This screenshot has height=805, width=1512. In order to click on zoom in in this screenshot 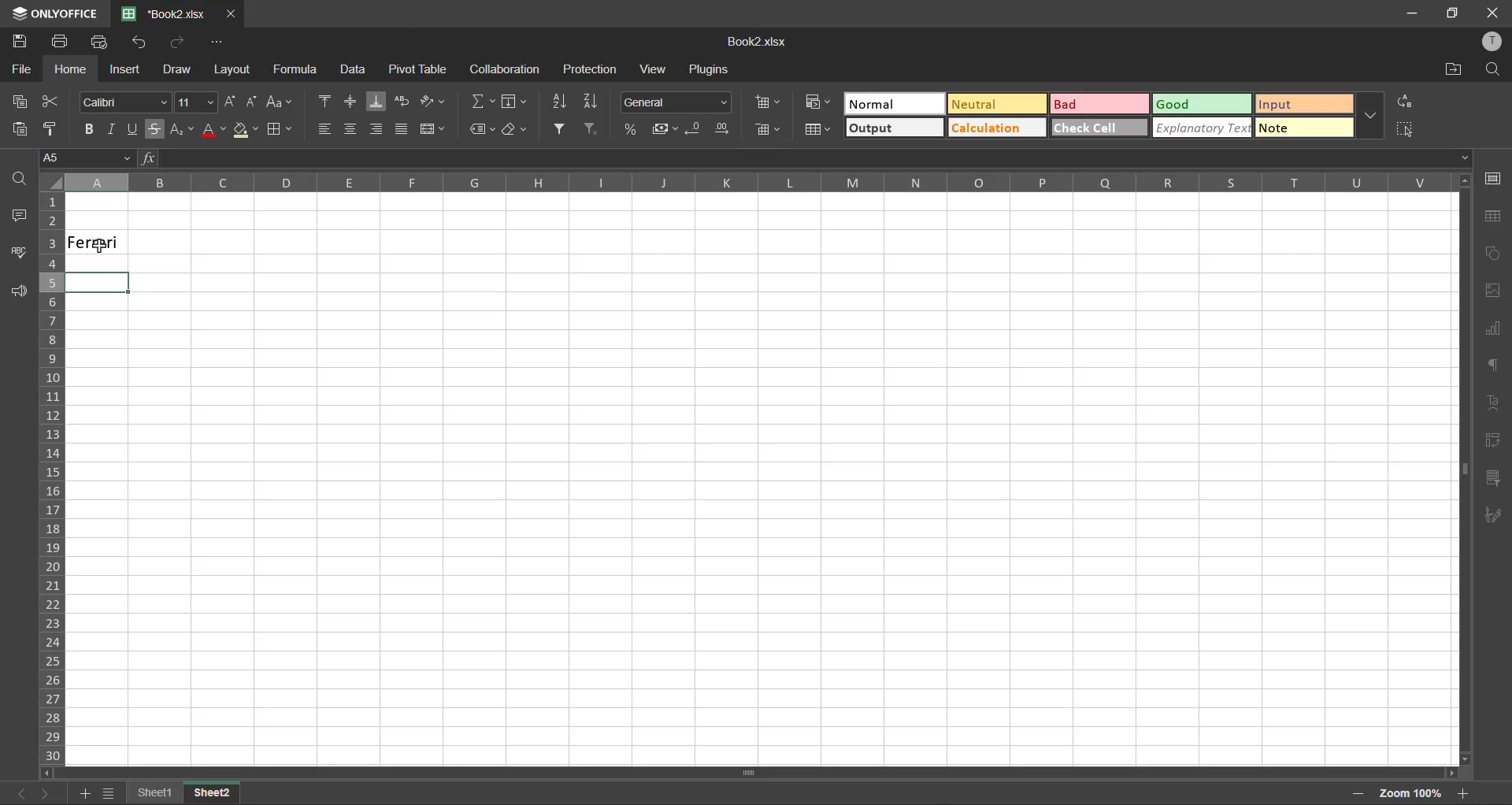, I will do `click(1466, 792)`.